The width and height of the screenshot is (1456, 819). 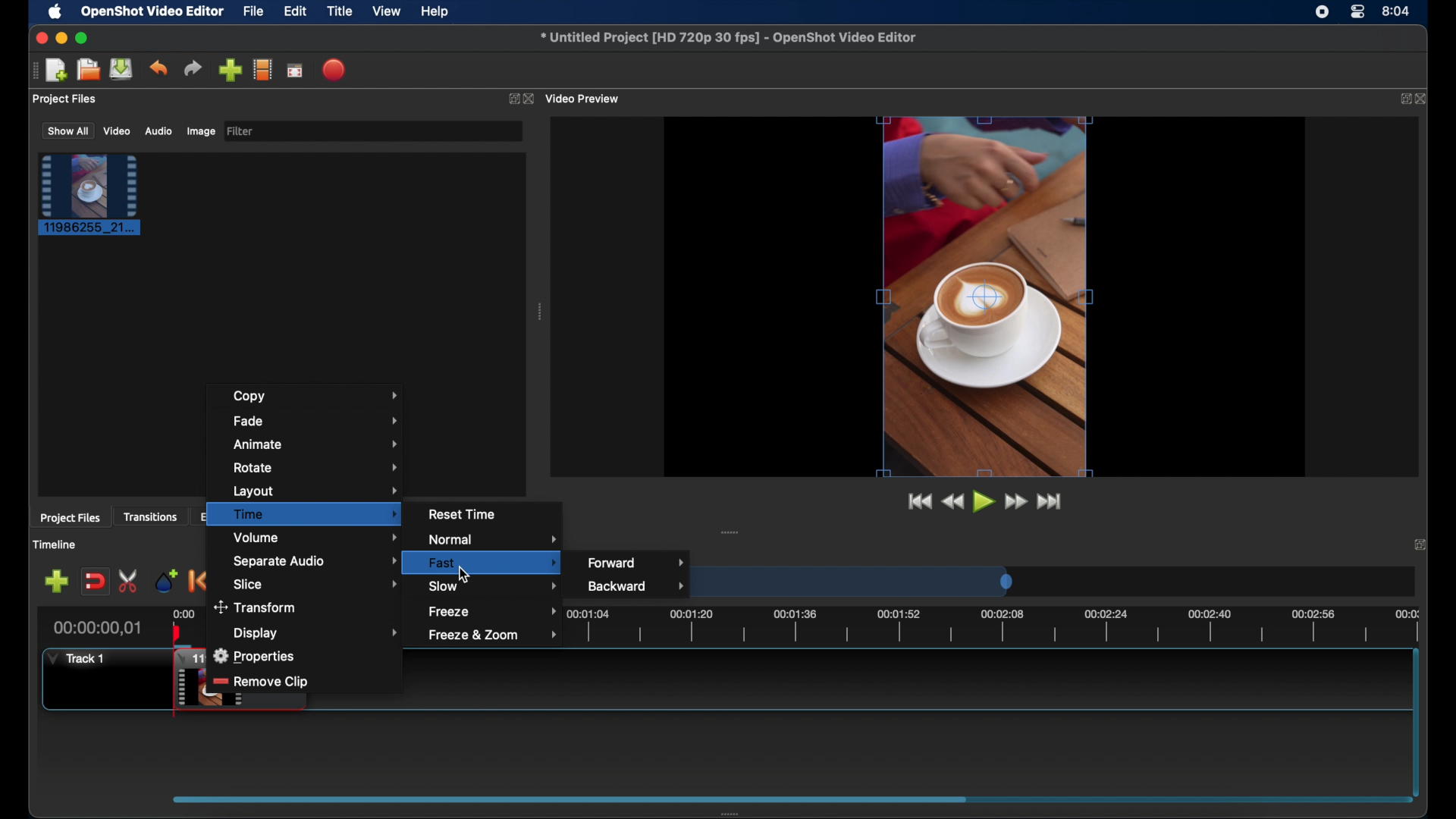 What do you see at coordinates (315, 490) in the screenshot?
I see `layoutmenu` at bounding box center [315, 490].